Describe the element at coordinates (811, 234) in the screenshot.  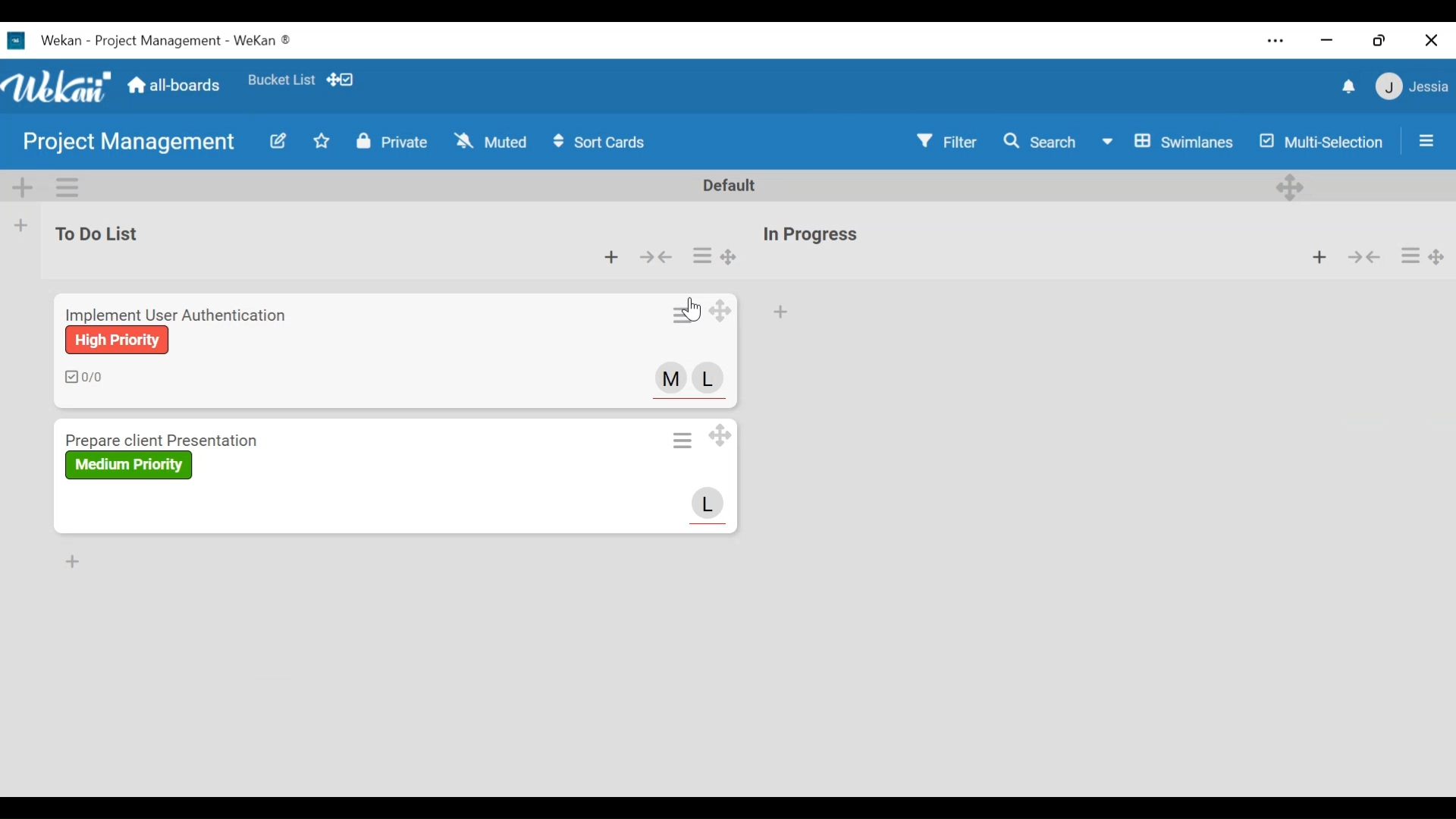
I see `list title` at that location.